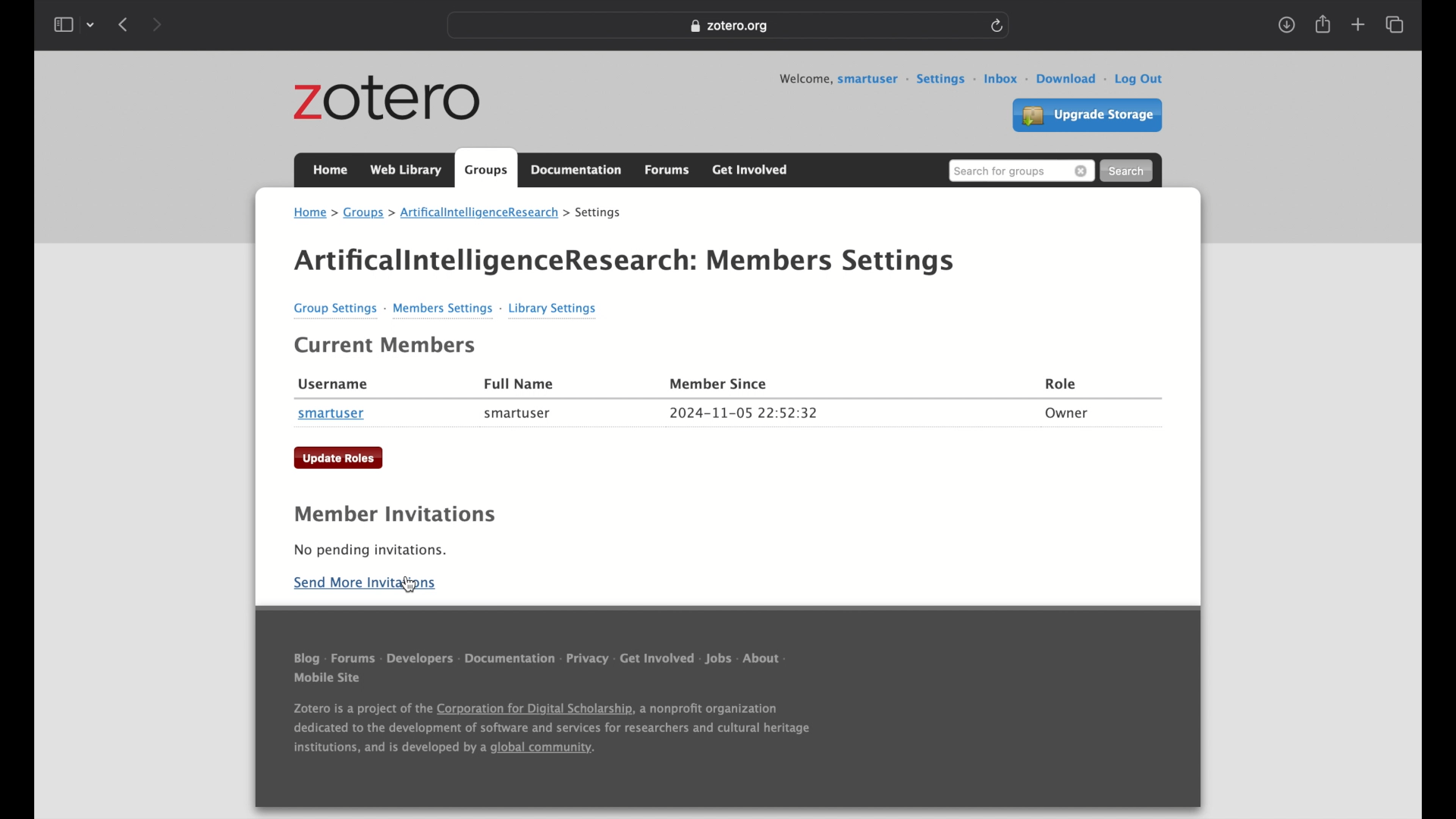 This screenshot has width=1456, height=819. What do you see at coordinates (1128, 171) in the screenshot?
I see `search` at bounding box center [1128, 171].